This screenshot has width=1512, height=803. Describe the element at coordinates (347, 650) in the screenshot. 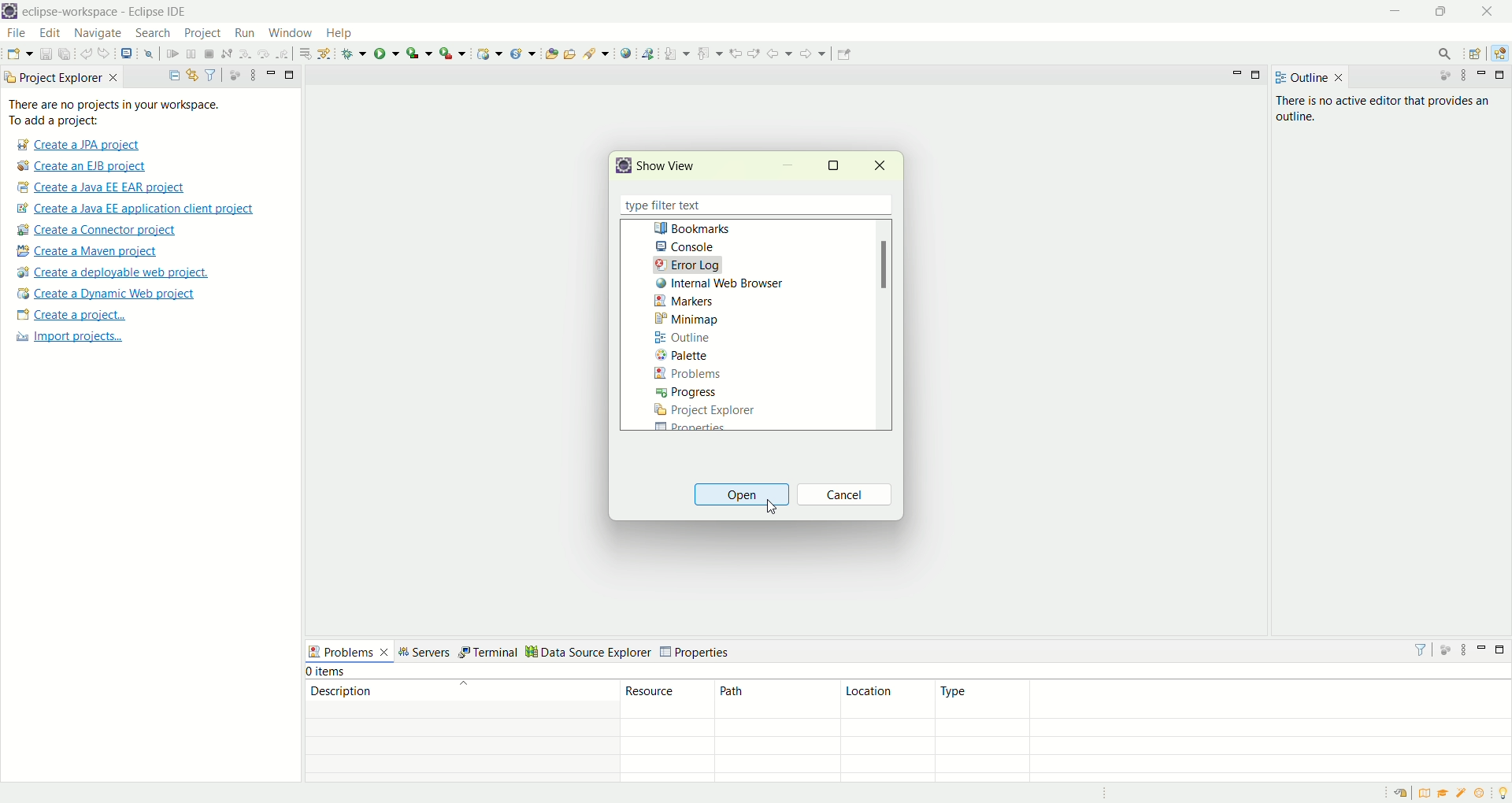

I see `problems` at that location.